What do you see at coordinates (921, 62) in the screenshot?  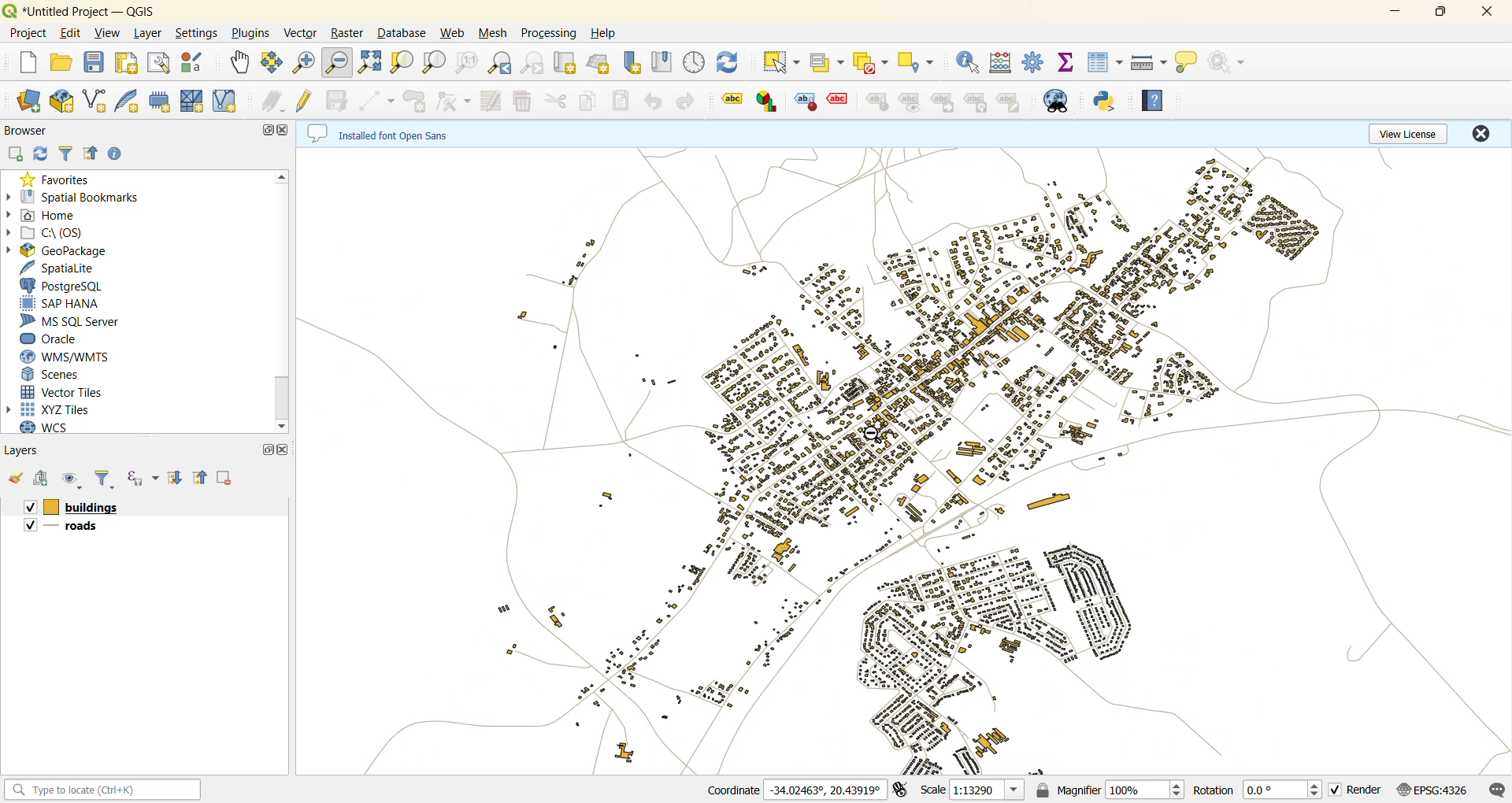 I see `select location` at bounding box center [921, 62].